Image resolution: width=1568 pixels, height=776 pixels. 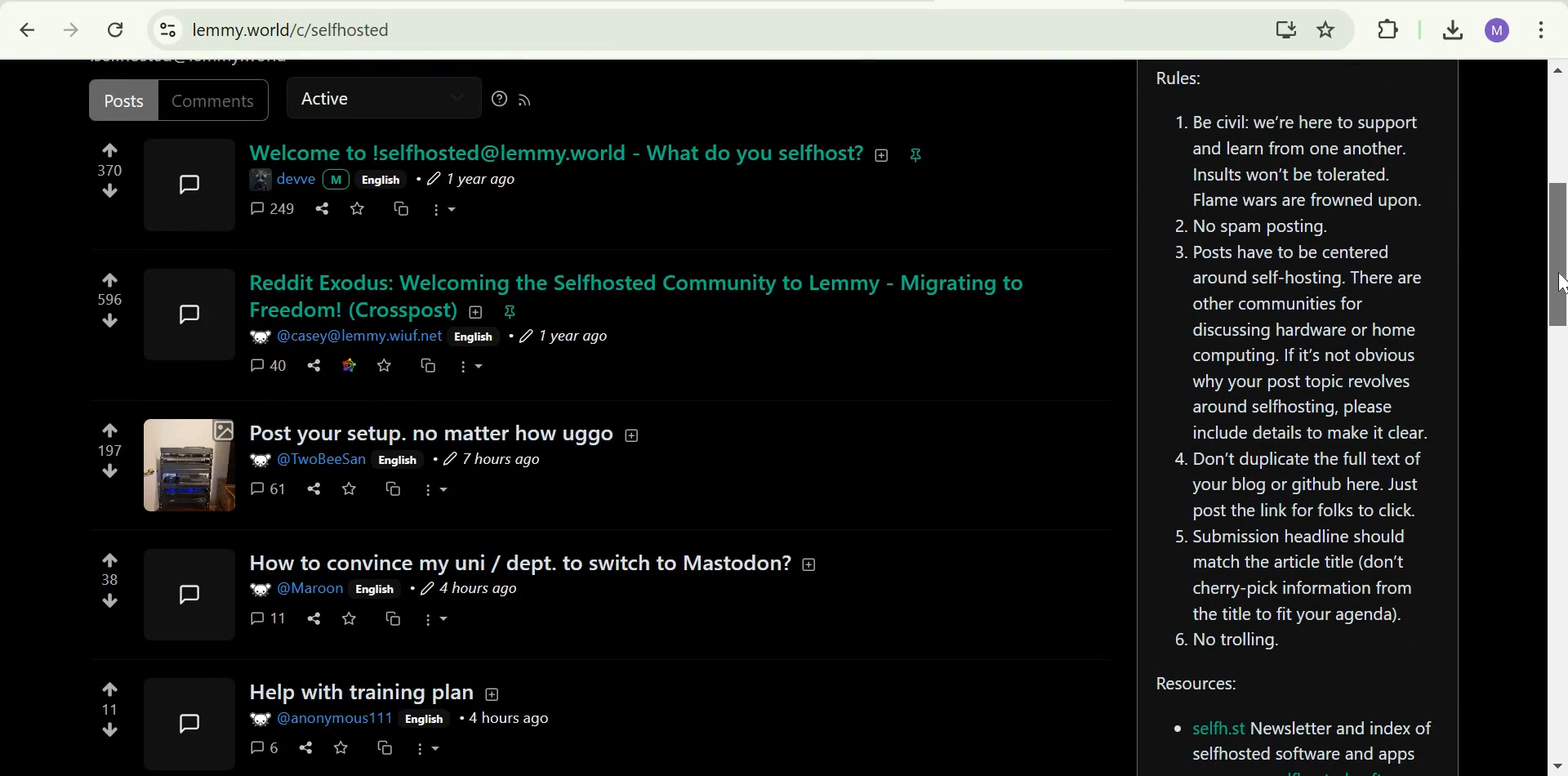 I want to click on Resources:, so click(x=1298, y=725).